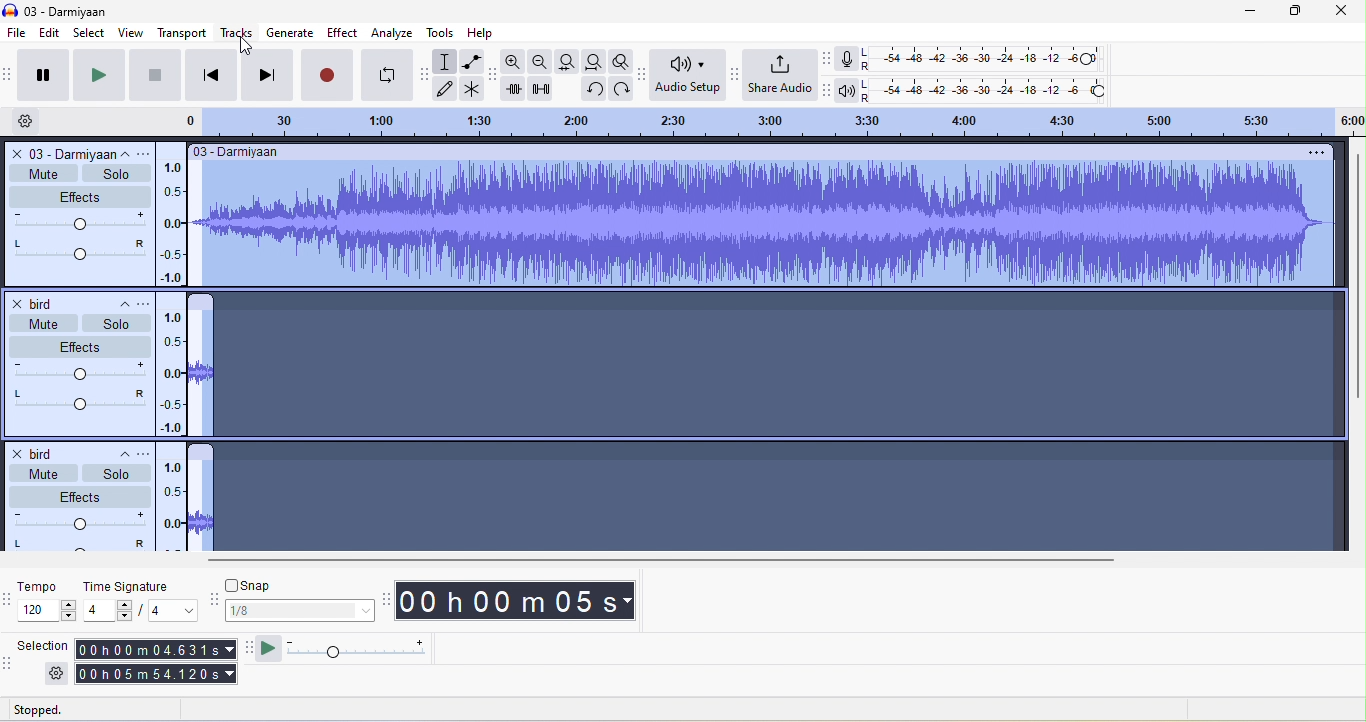  I want to click on close, so click(1338, 11).